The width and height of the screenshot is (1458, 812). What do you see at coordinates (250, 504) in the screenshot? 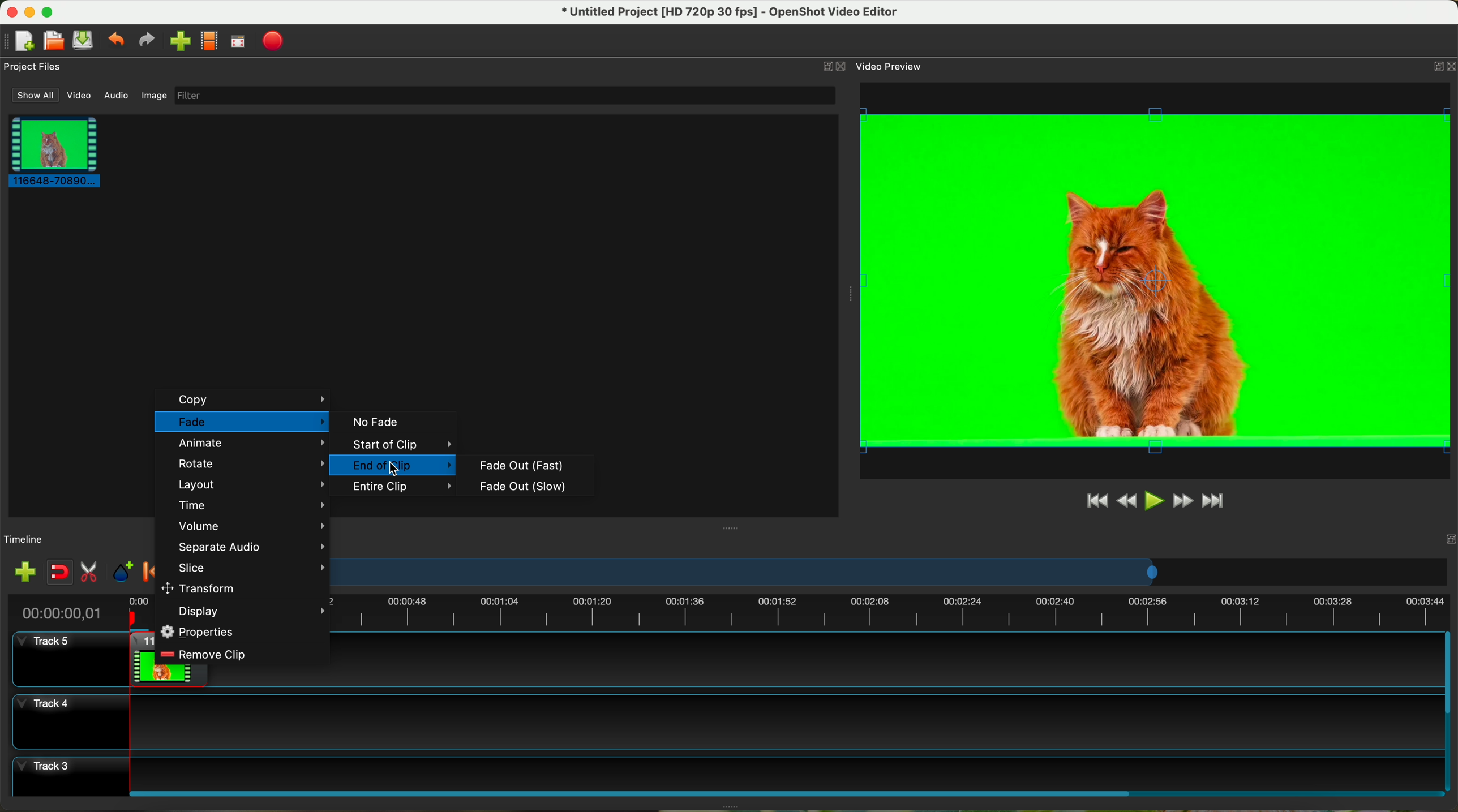
I see `time` at bounding box center [250, 504].